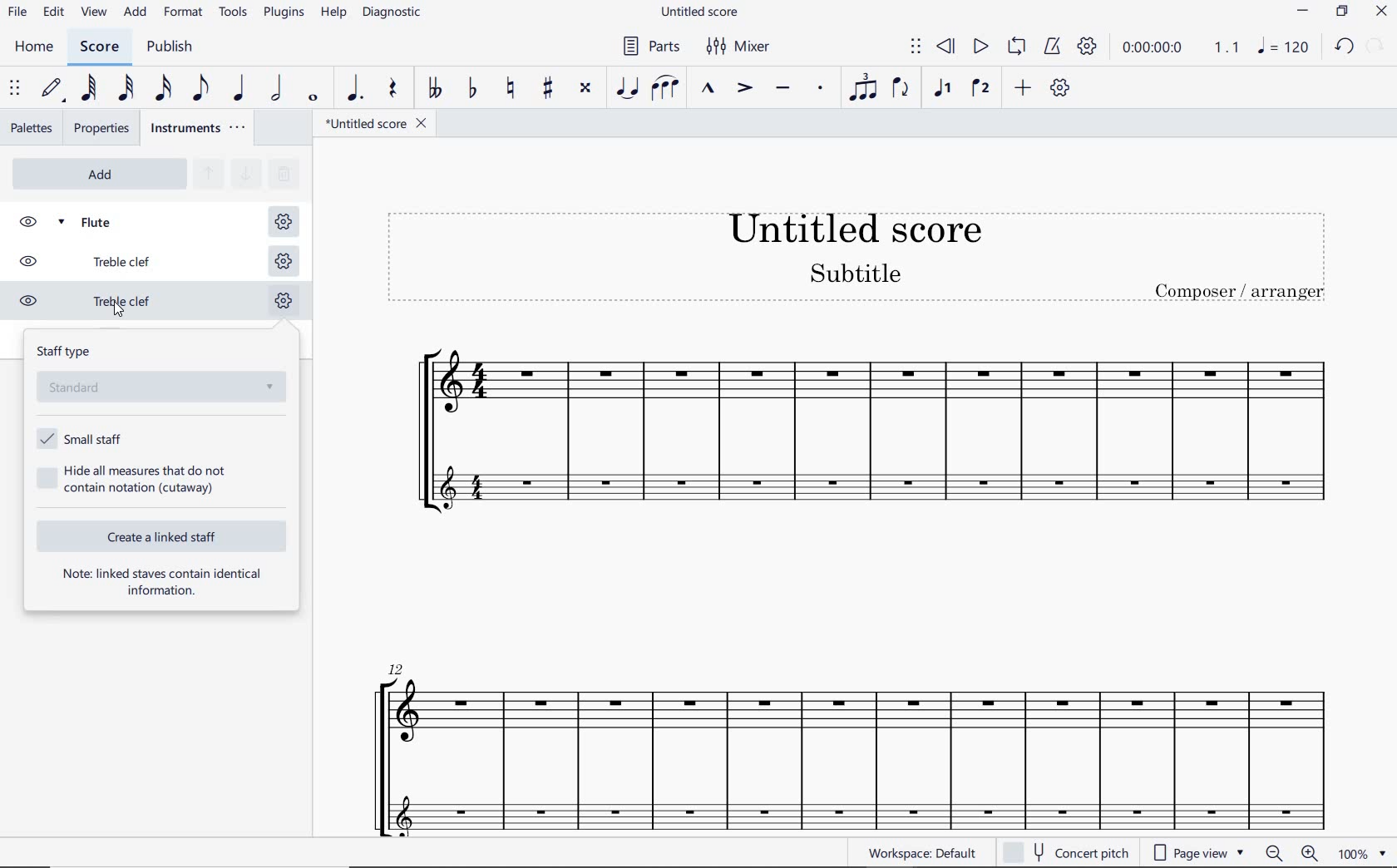 This screenshot has height=868, width=1397. Describe the element at coordinates (740, 49) in the screenshot. I see `MIXER` at that location.